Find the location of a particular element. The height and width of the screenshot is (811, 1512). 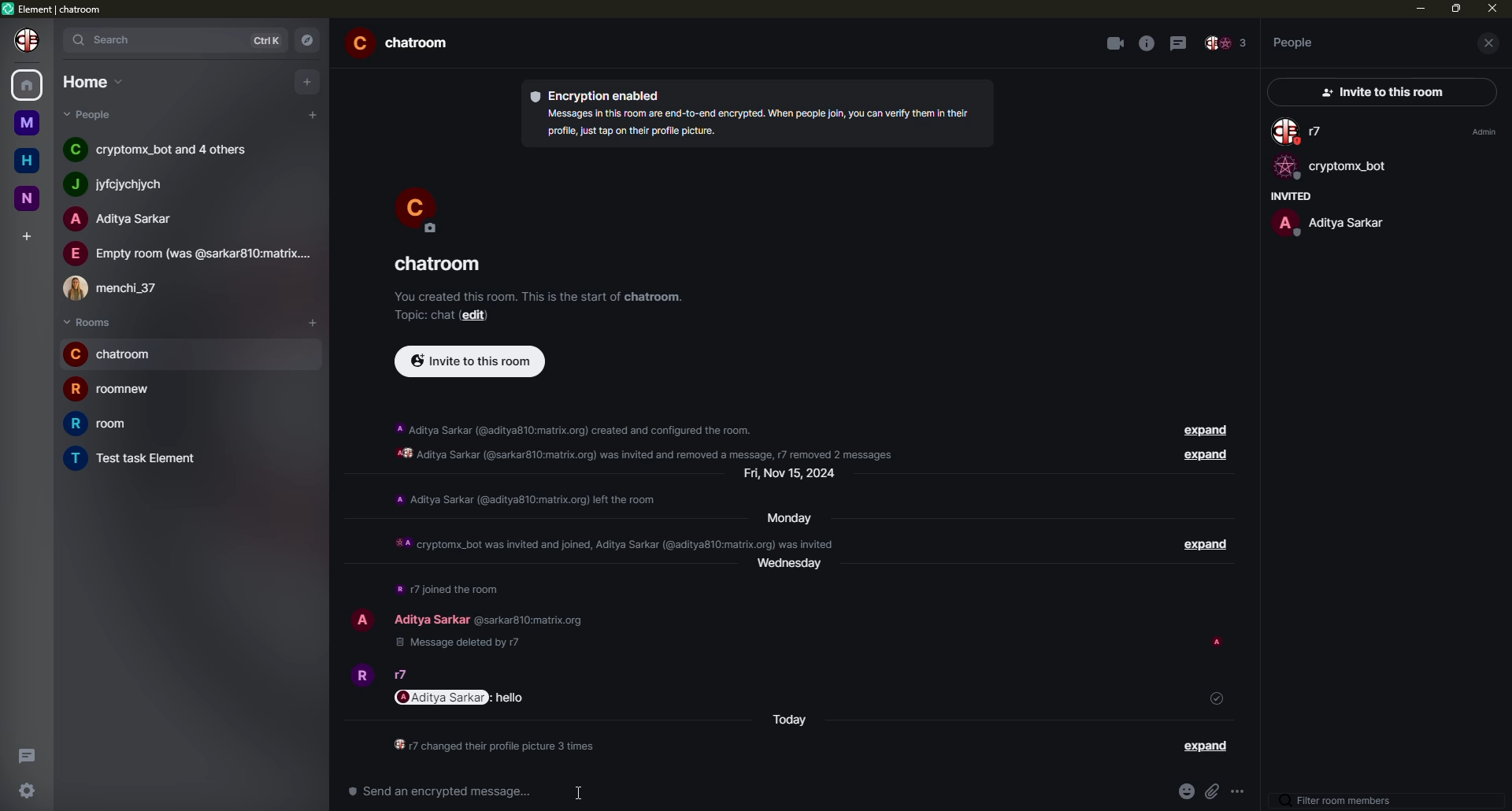

invited is located at coordinates (1288, 196).